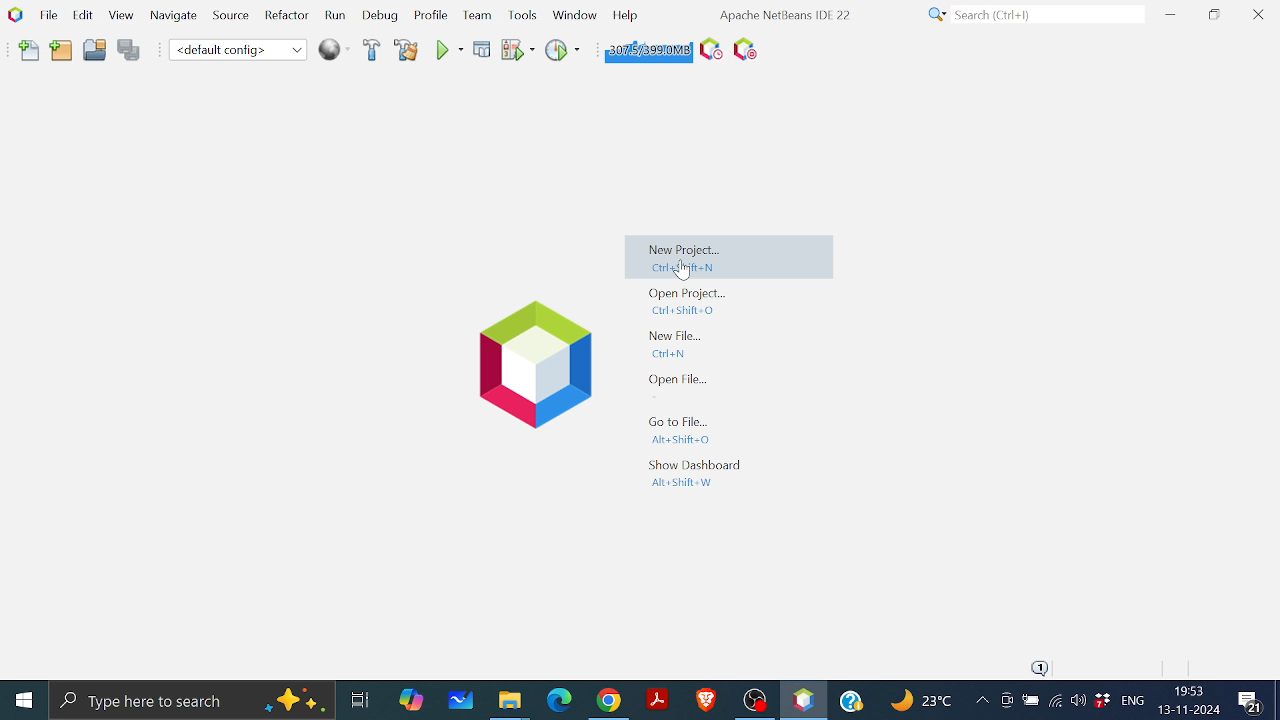  Describe the element at coordinates (359, 697) in the screenshot. I see `Task view` at that location.